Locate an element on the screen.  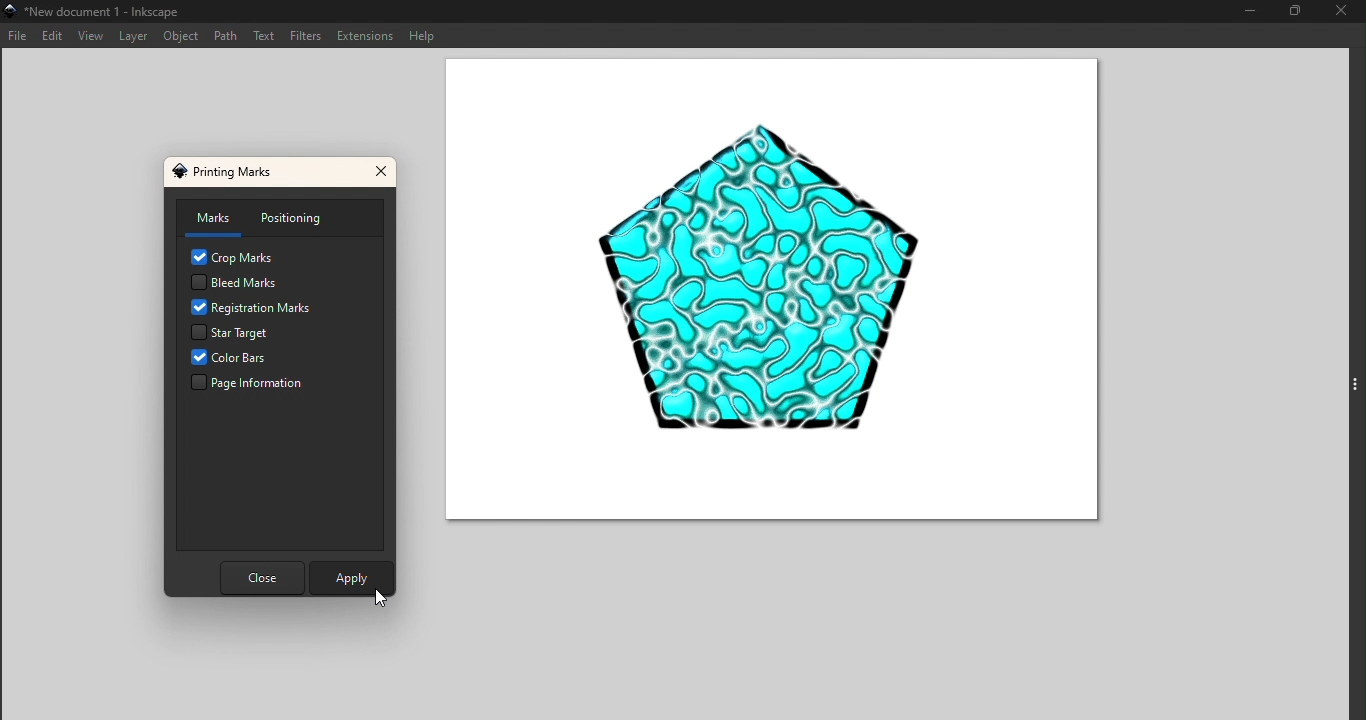
app Icon is located at coordinates (9, 10).